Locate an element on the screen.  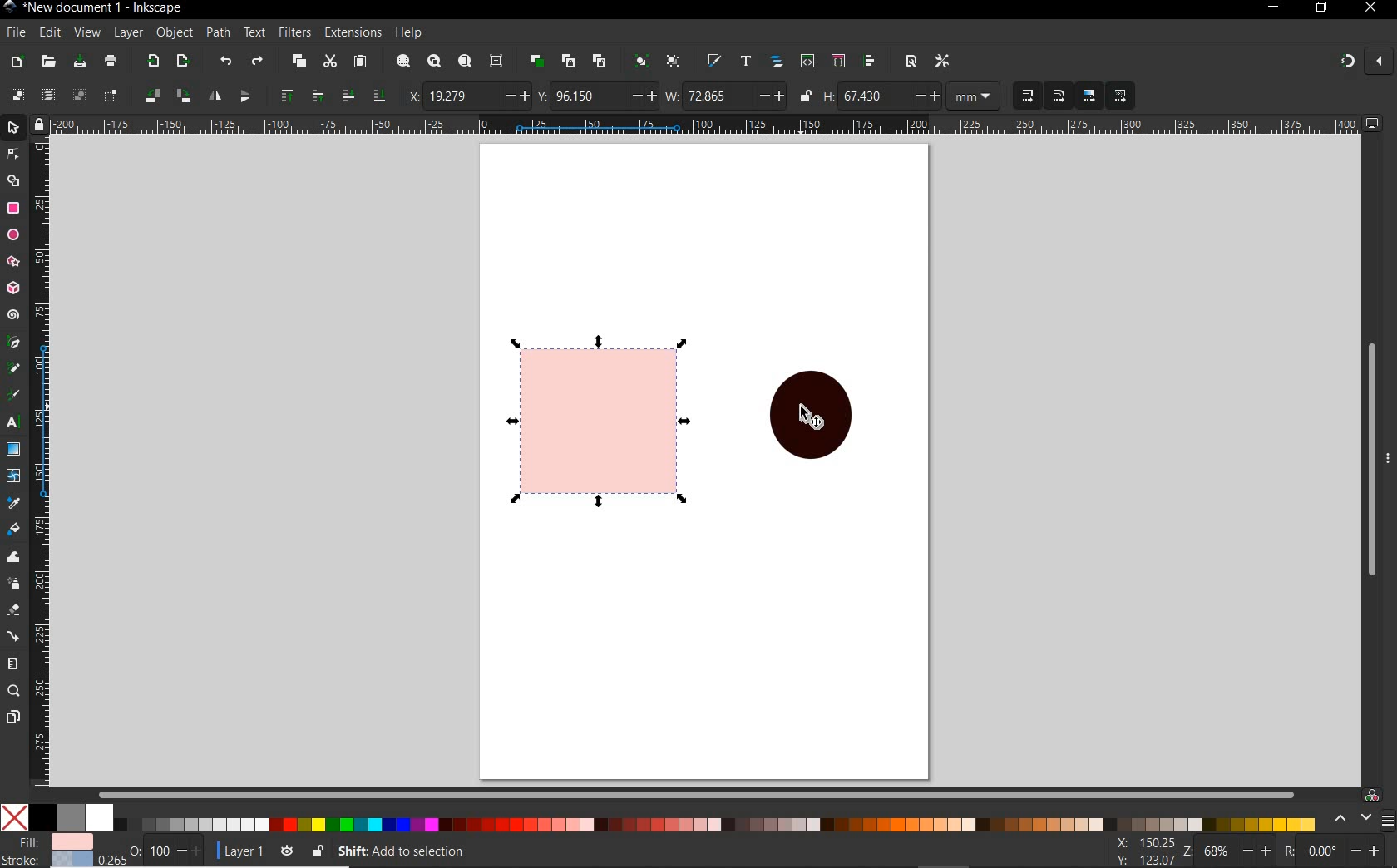
toggle selection box is located at coordinates (111, 96).